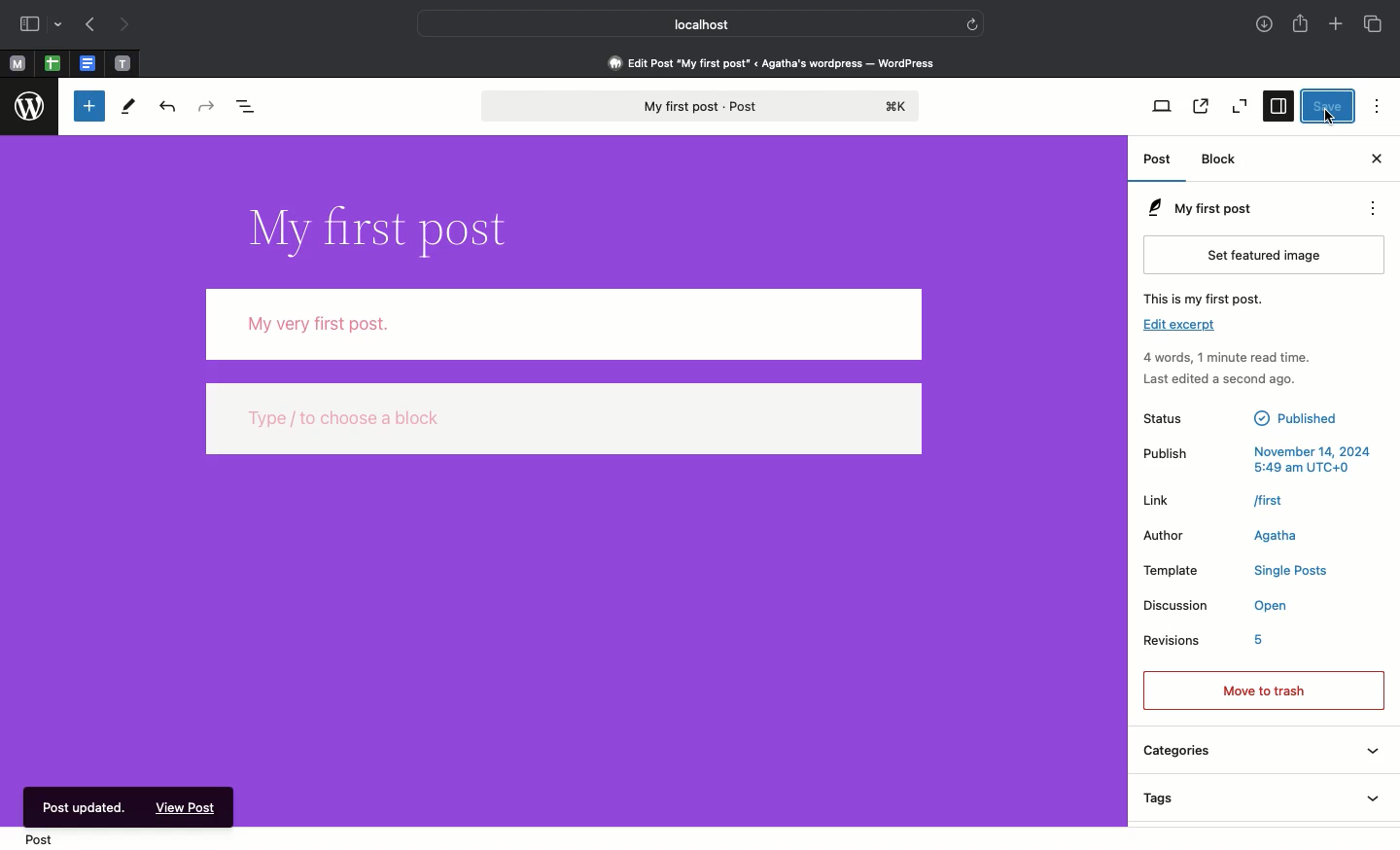  I want to click on refresh, so click(975, 21).